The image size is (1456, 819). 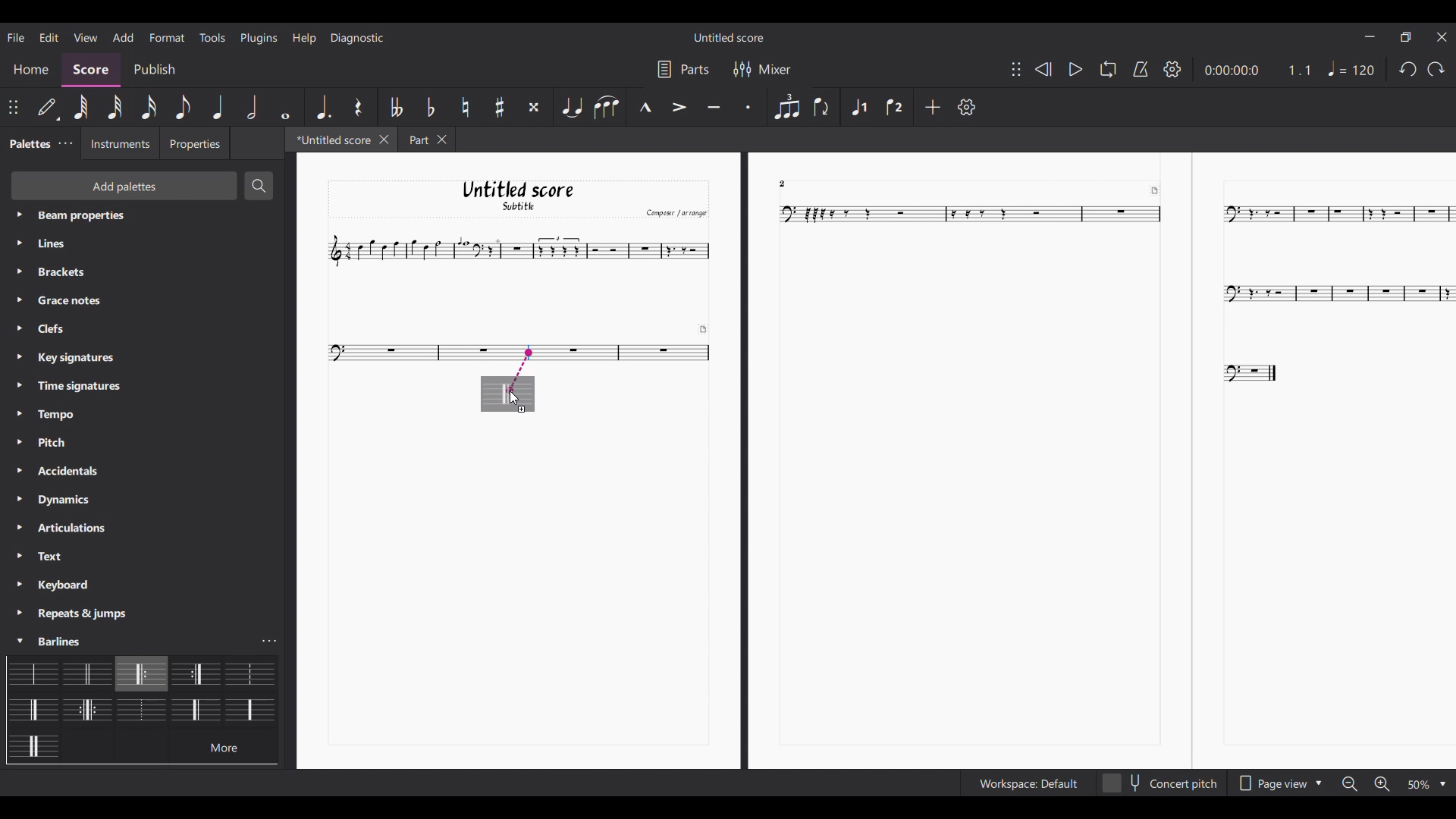 I want to click on Current tab, so click(x=329, y=139).